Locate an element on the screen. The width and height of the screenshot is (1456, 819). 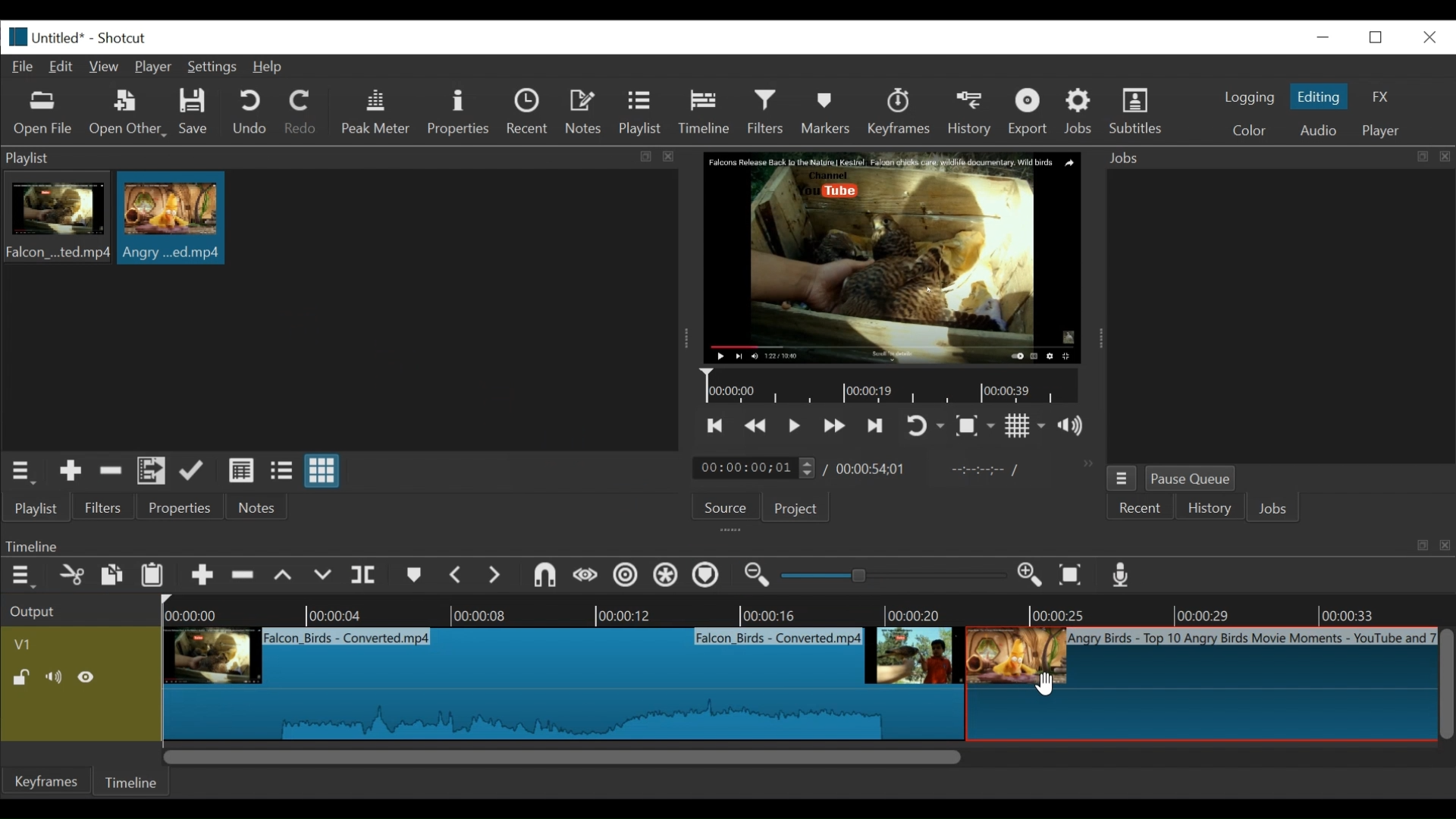
Recent is located at coordinates (531, 114).